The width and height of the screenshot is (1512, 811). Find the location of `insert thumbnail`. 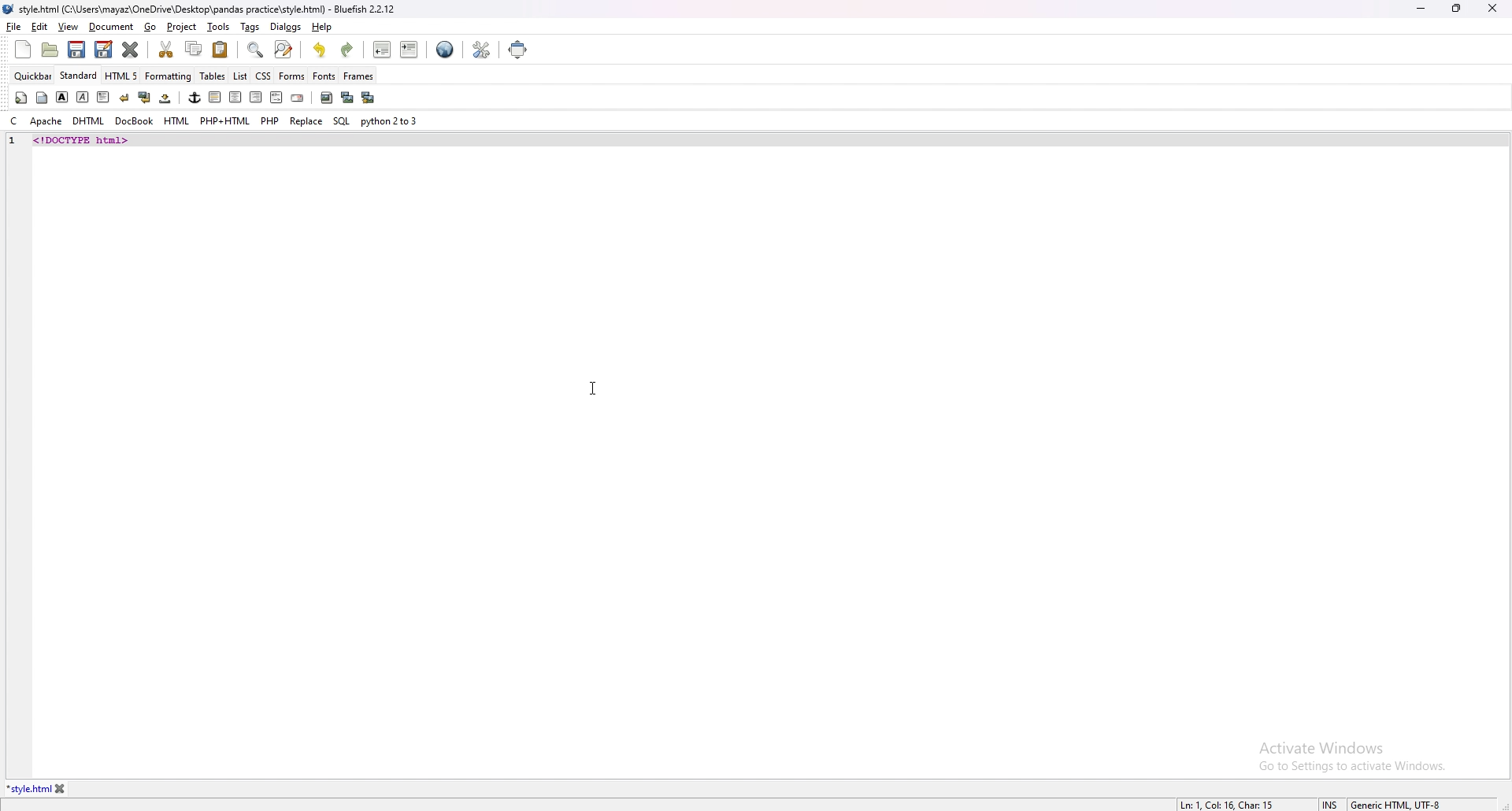

insert thumbnail is located at coordinates (346, 98).